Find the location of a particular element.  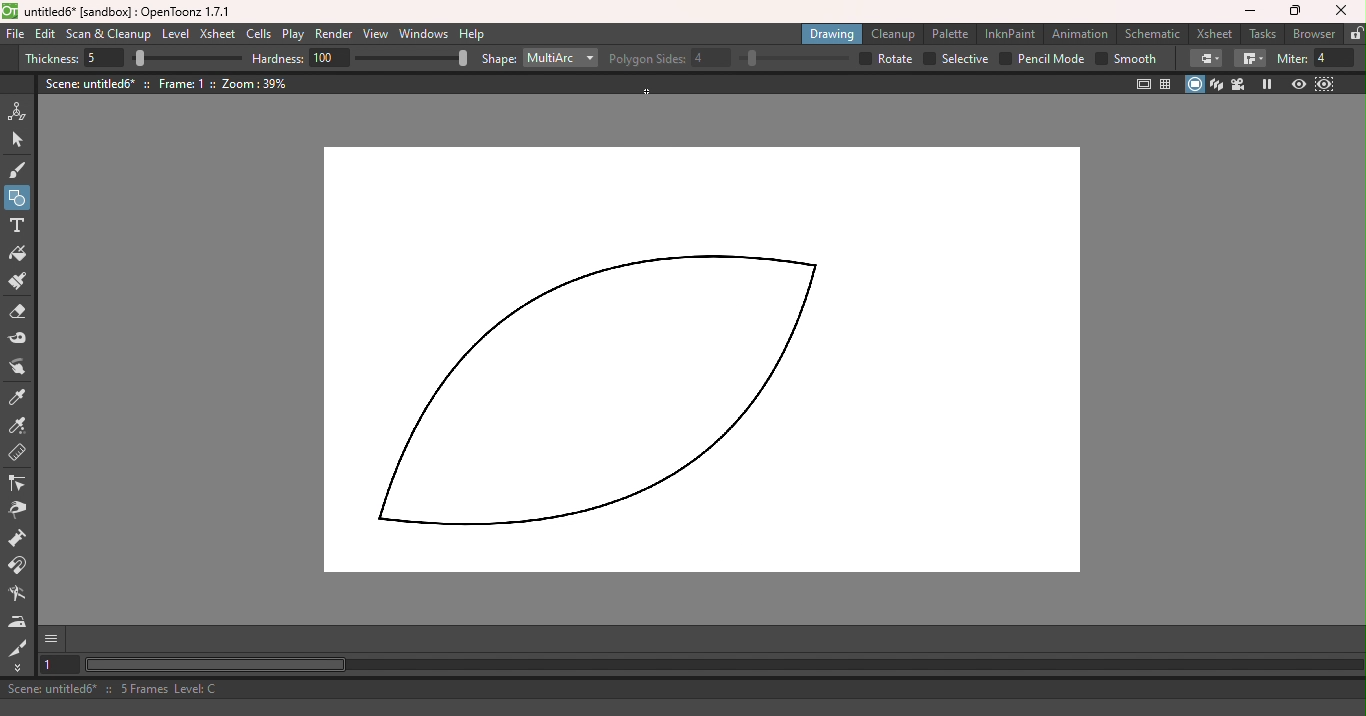

Camera stand view is located at coordinates (1195, 84).